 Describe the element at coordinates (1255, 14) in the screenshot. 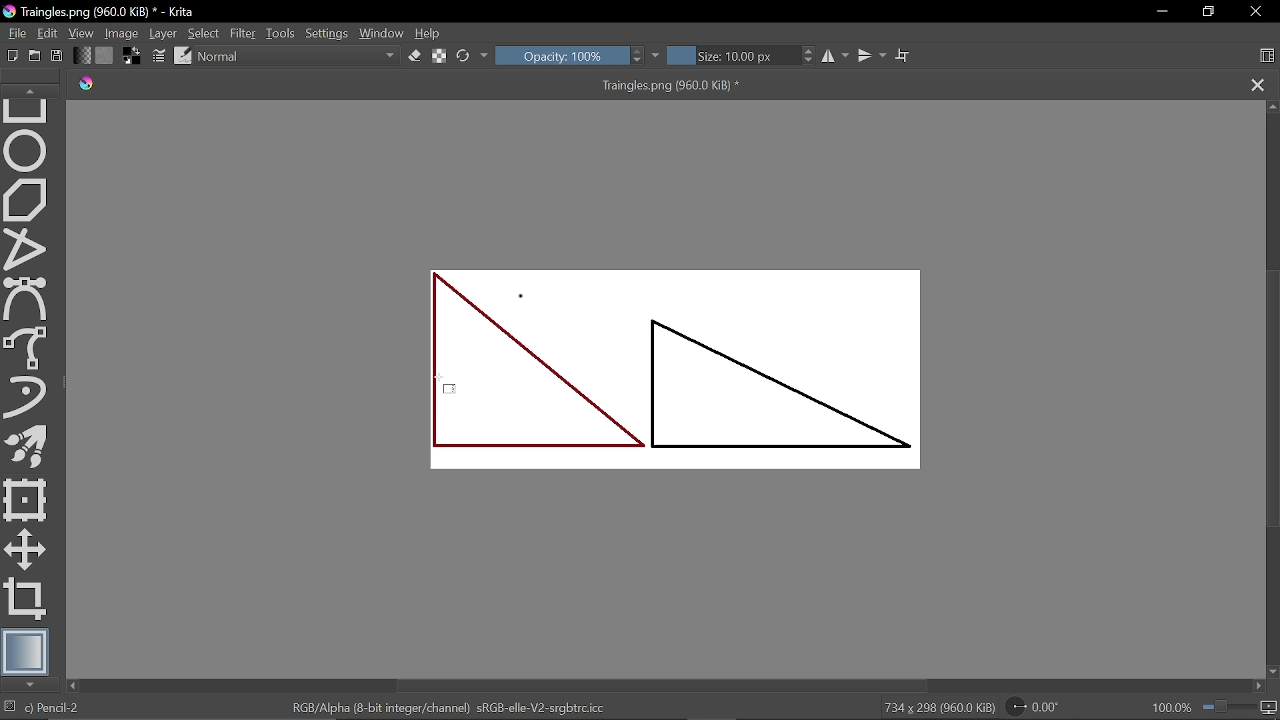

I see `Close` at that location.